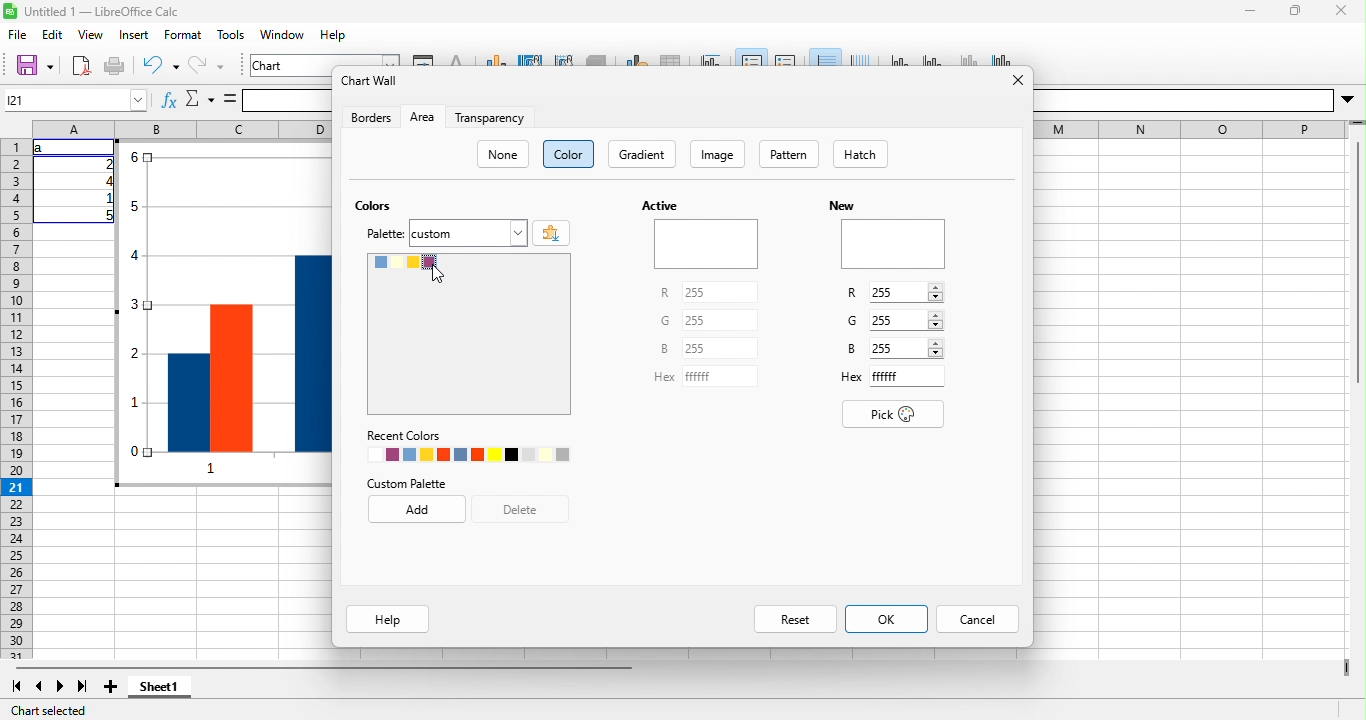  What do you see at coordinates (893, 414) in the screenshot?
I see `pick color` at bounding box center [893, 414].